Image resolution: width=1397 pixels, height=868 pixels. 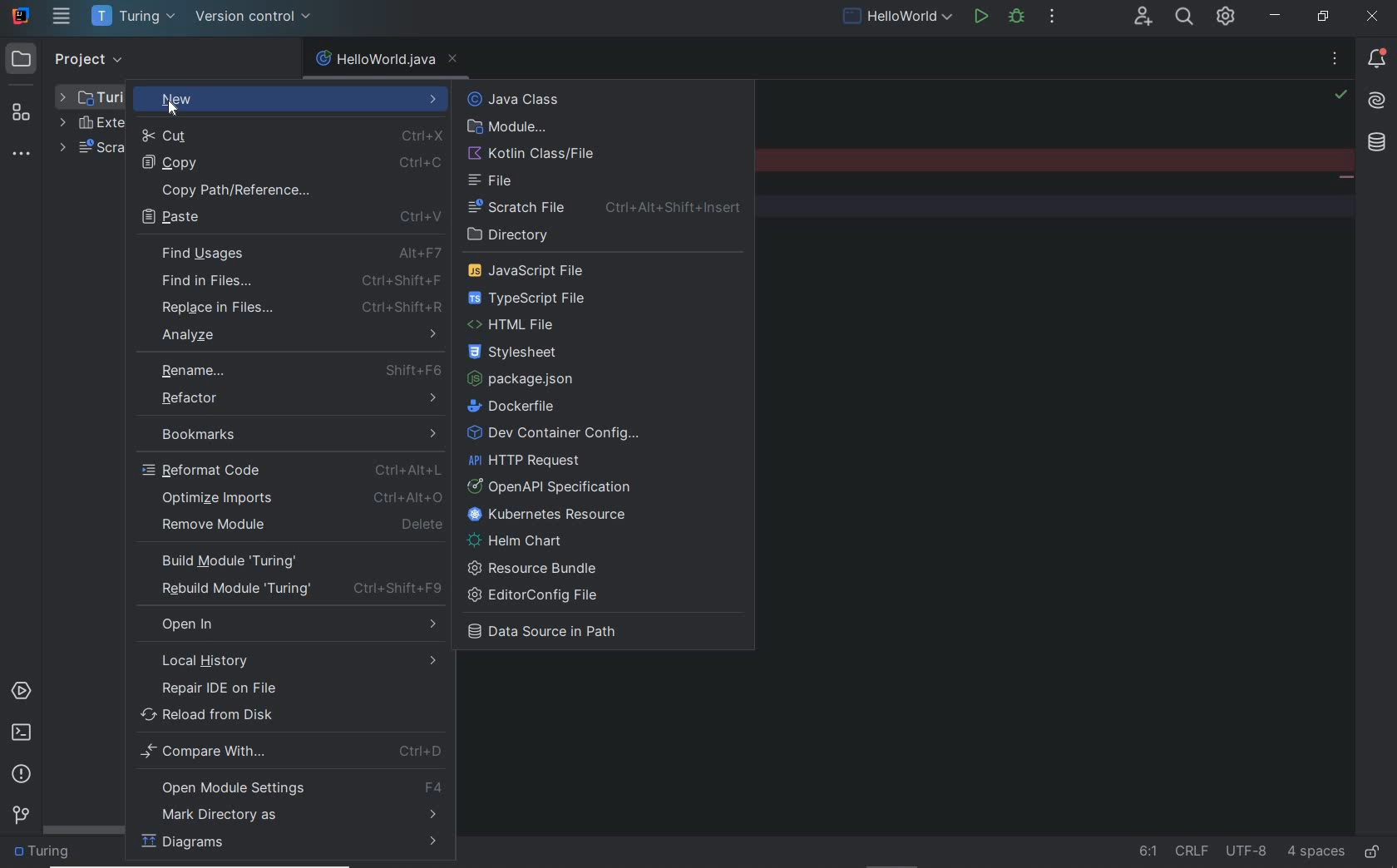 I want to click on go to line, so click(x=1148, y=851).